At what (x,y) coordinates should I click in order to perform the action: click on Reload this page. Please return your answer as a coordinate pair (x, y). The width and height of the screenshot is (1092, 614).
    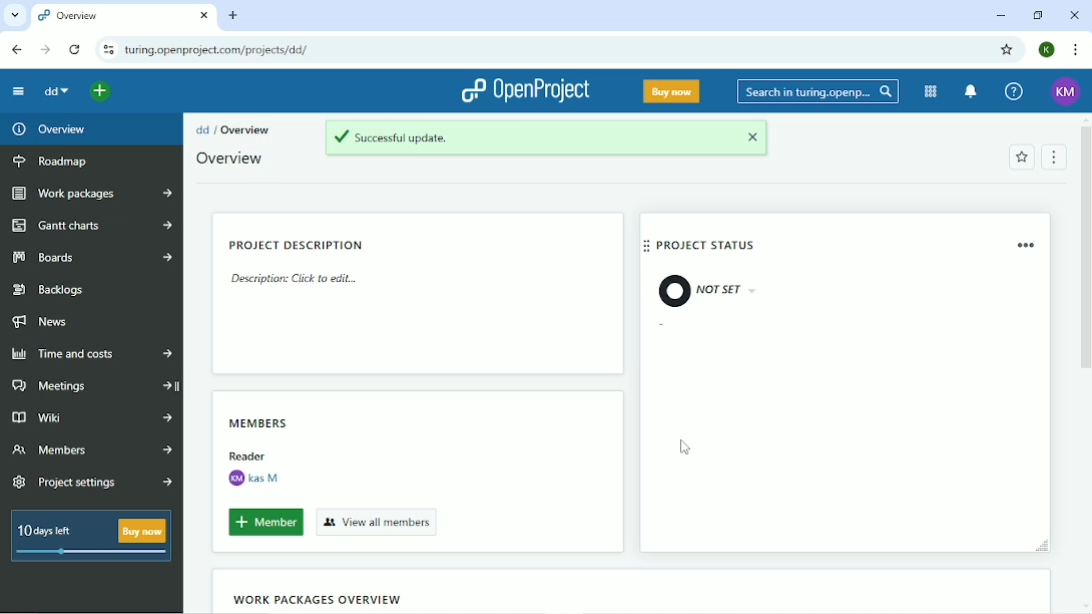
    Looking at the image, I should click on (74, 50).